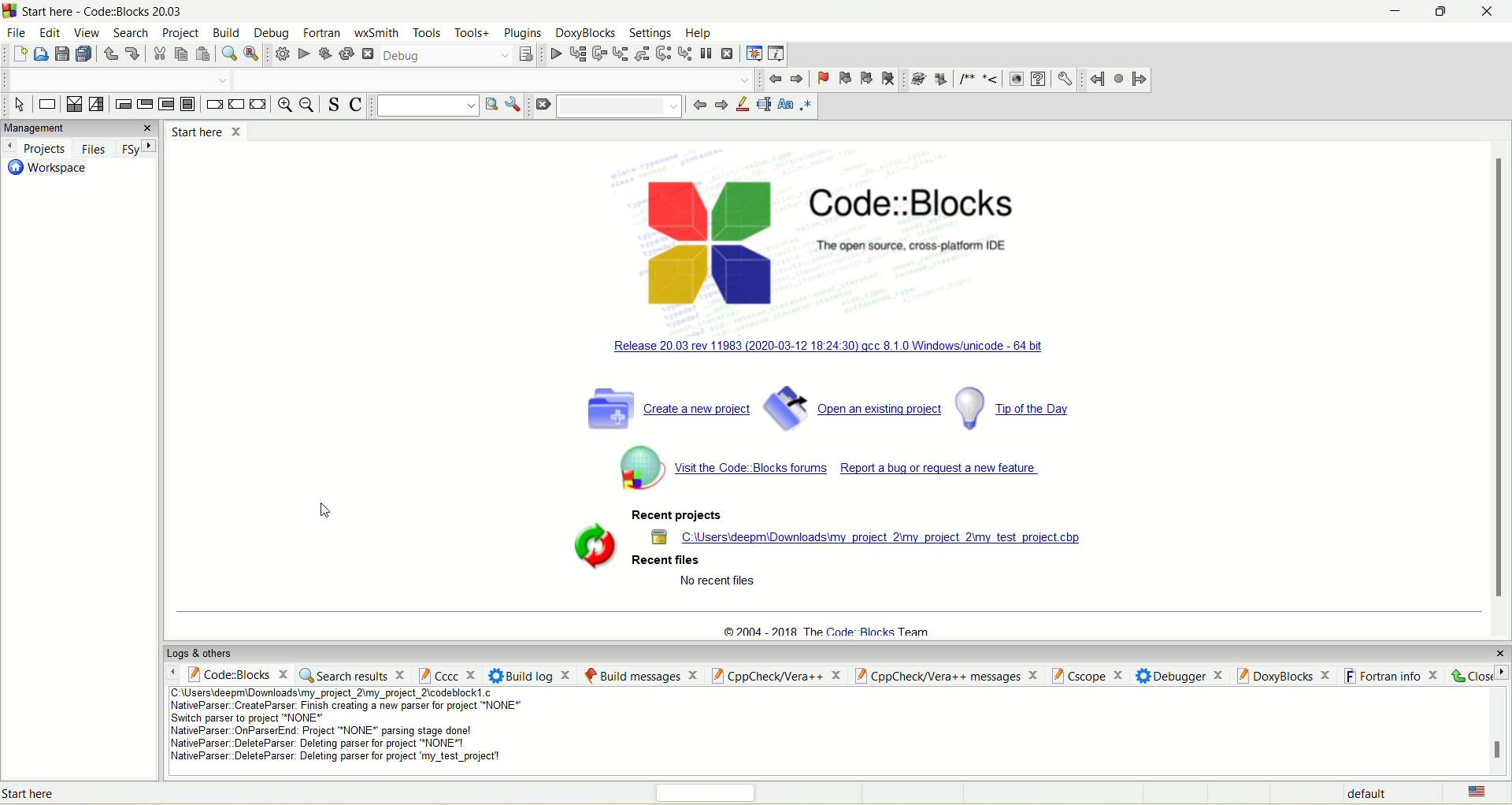 The image size is (1512, 805). What do you see at coordinates (76, 103) in the screenshot?
I see `decision` at bounding box center [76, 103].